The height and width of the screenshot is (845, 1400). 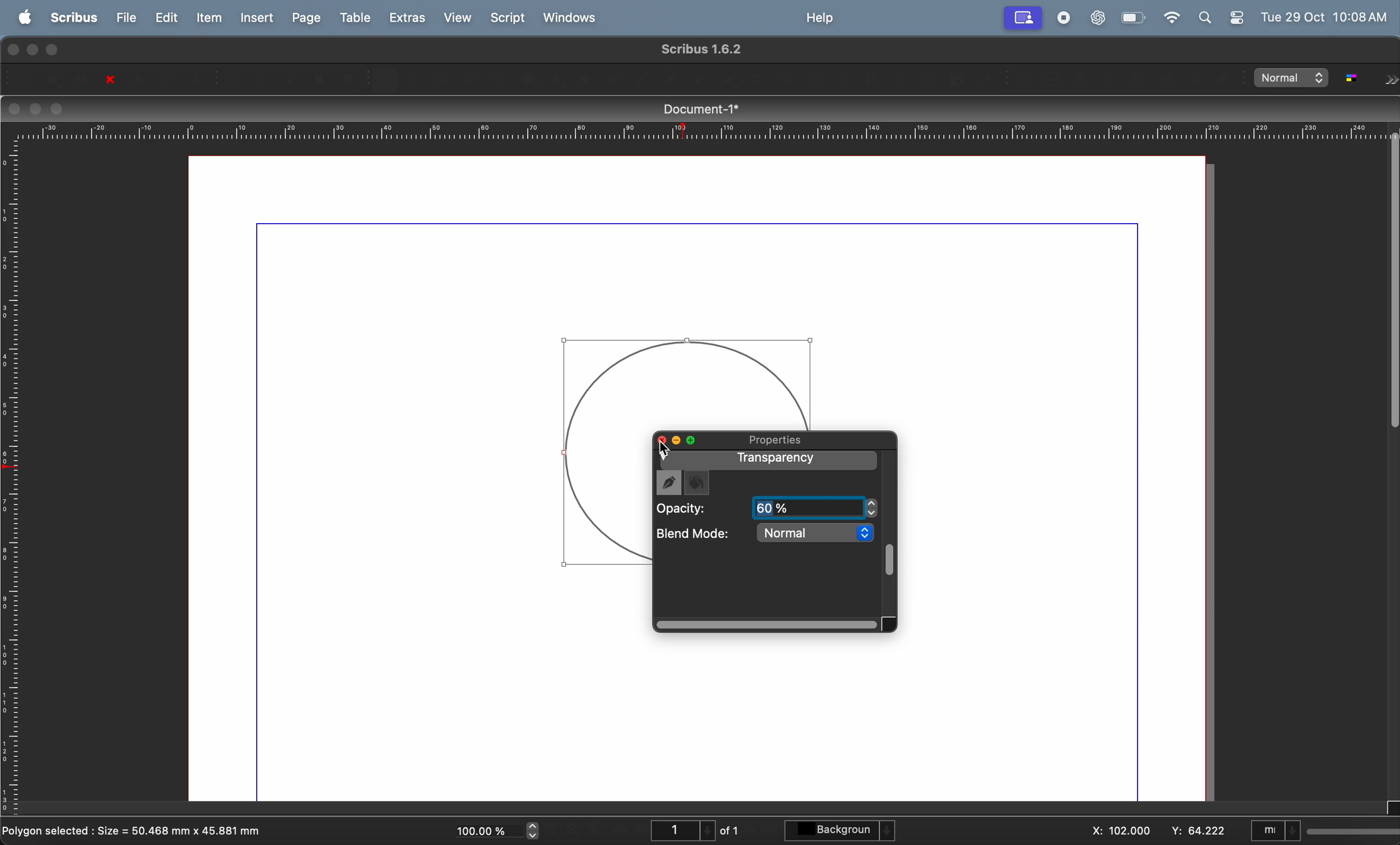 What do you see at coordinates (1391, 74) in the screenshot?
I see `Forward` at bounding box center [1391, 74].